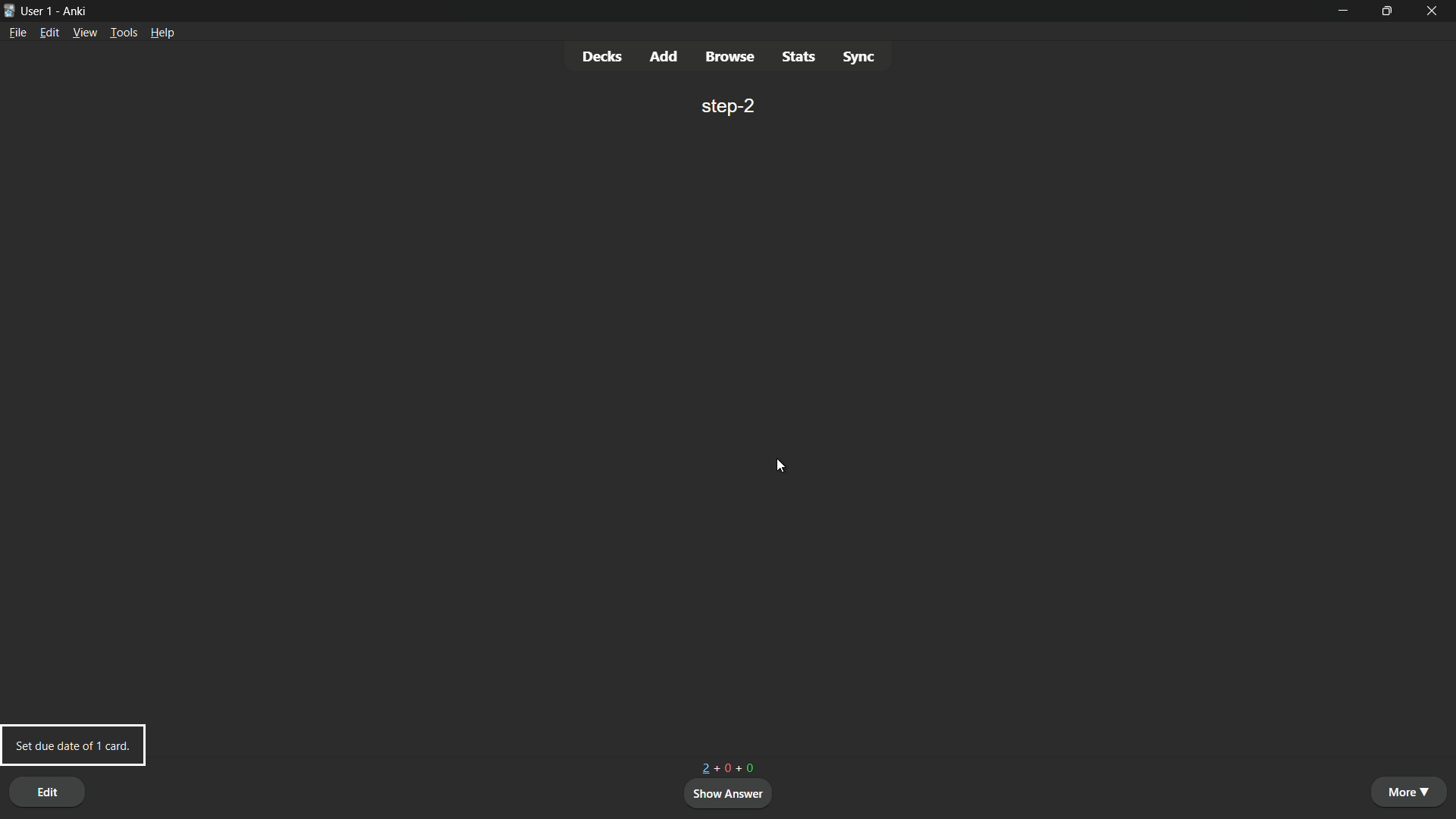 The width and height of the screenshot is (1456, 819). Describe the element at coordinates (85, 33) in the screenshot. I see `view menu` at that location.